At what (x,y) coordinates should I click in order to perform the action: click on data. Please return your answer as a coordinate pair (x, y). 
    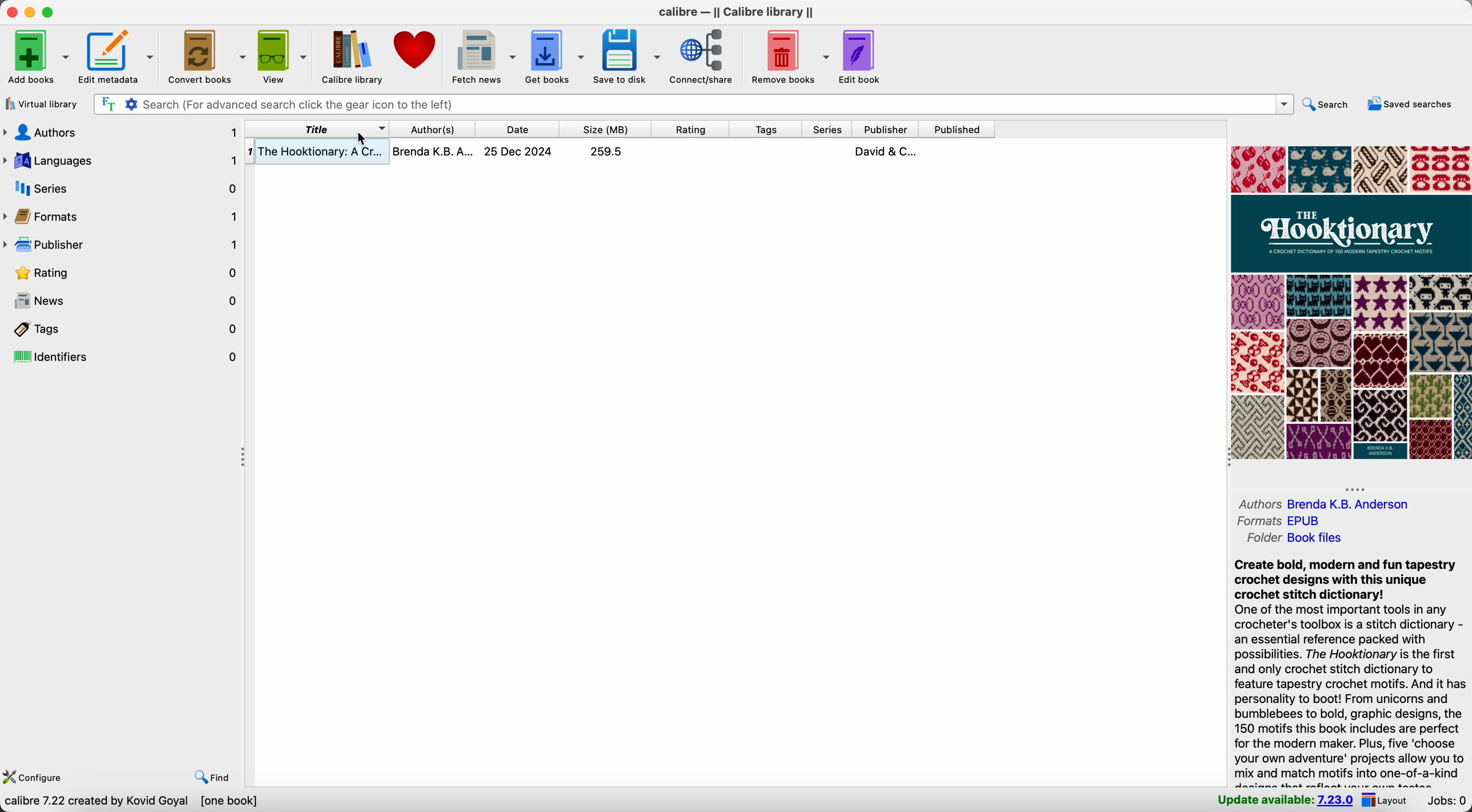
    Looking at the image, I should click on (134, 803).